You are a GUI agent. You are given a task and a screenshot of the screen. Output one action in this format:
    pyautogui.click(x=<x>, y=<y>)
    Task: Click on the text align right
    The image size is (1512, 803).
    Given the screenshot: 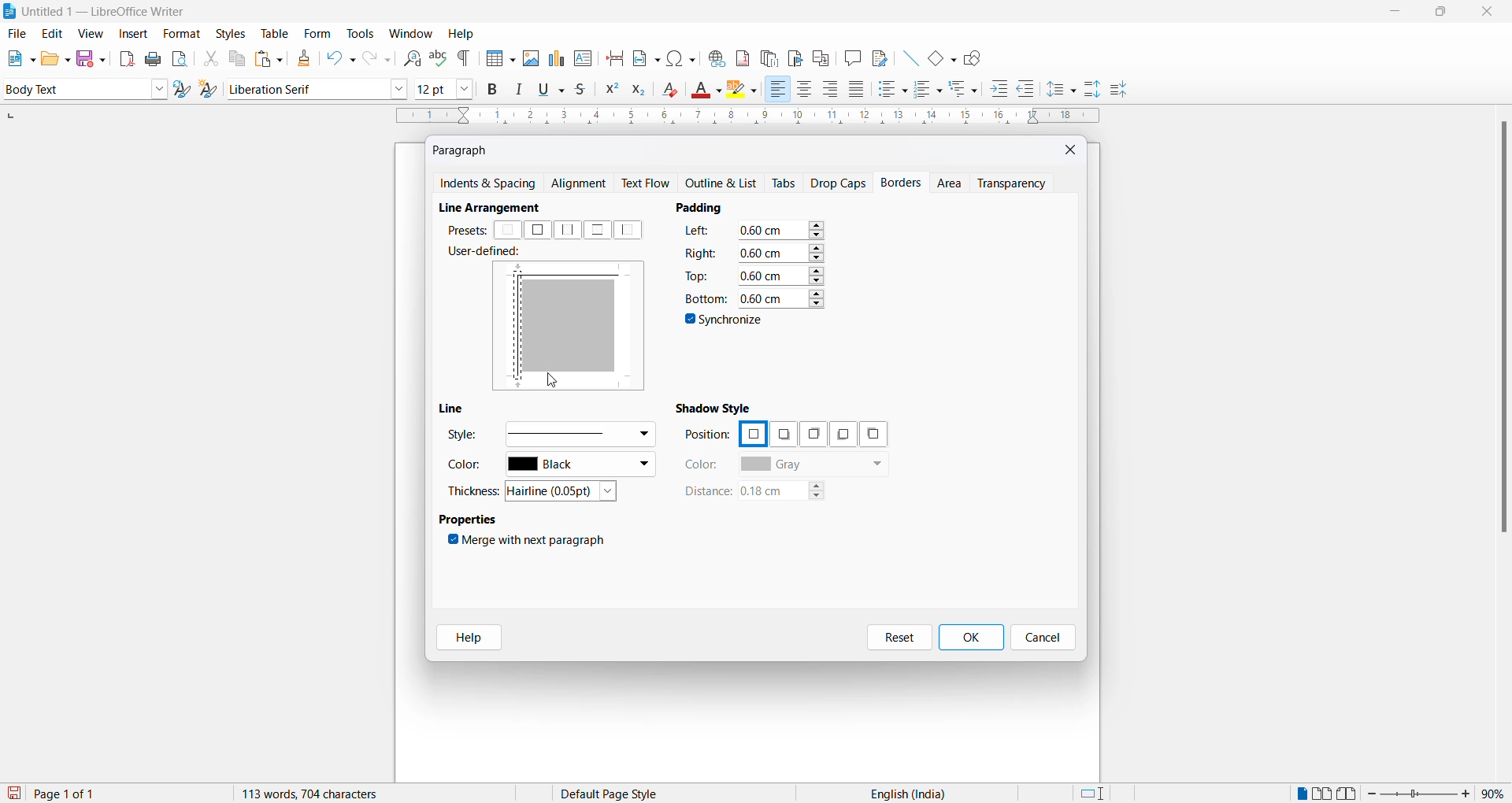 What is the action you would take?
    pyautogui.click(x=777, y=90)
    